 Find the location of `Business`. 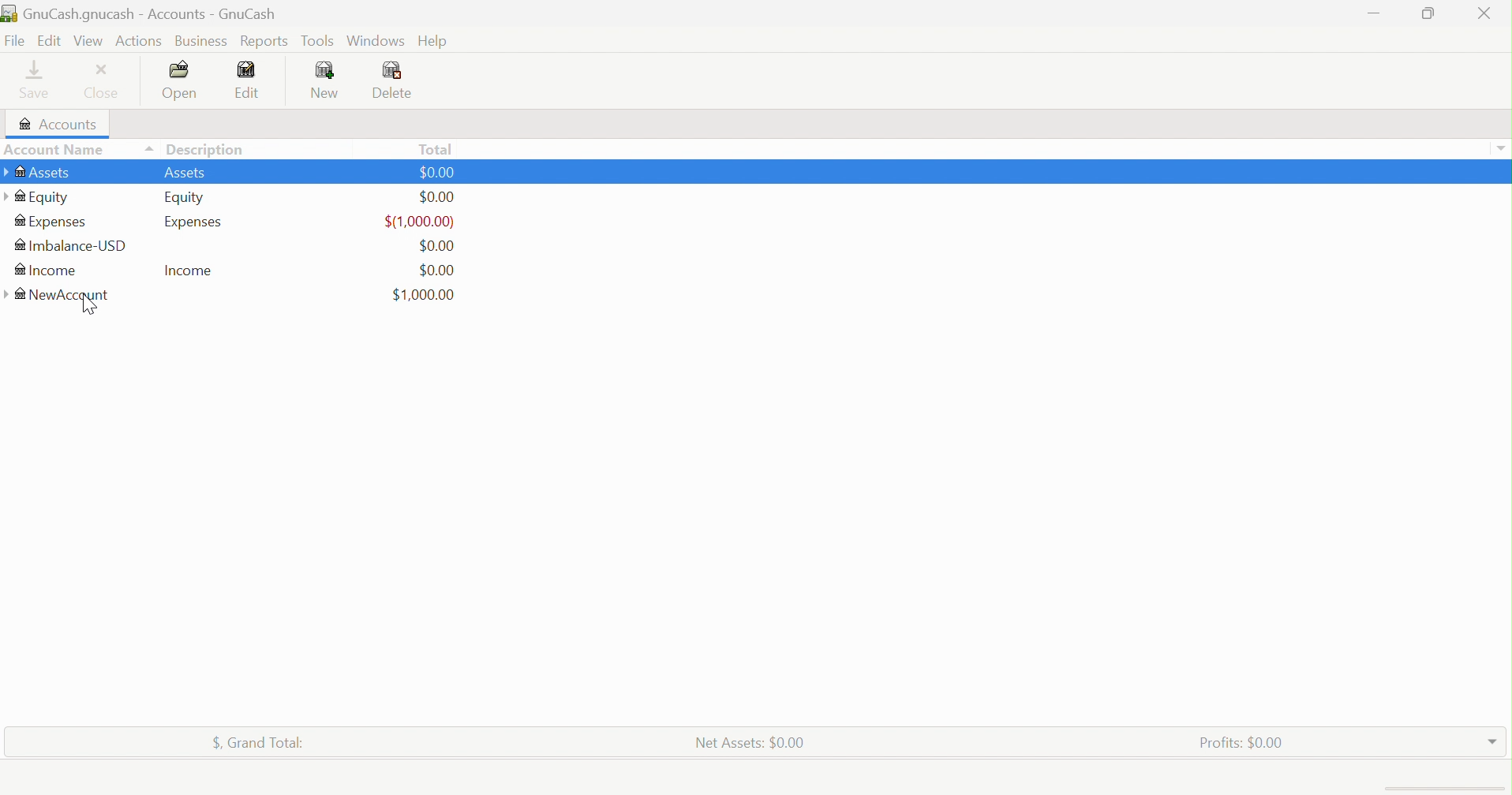

Business is located at coordinates (202, 39).